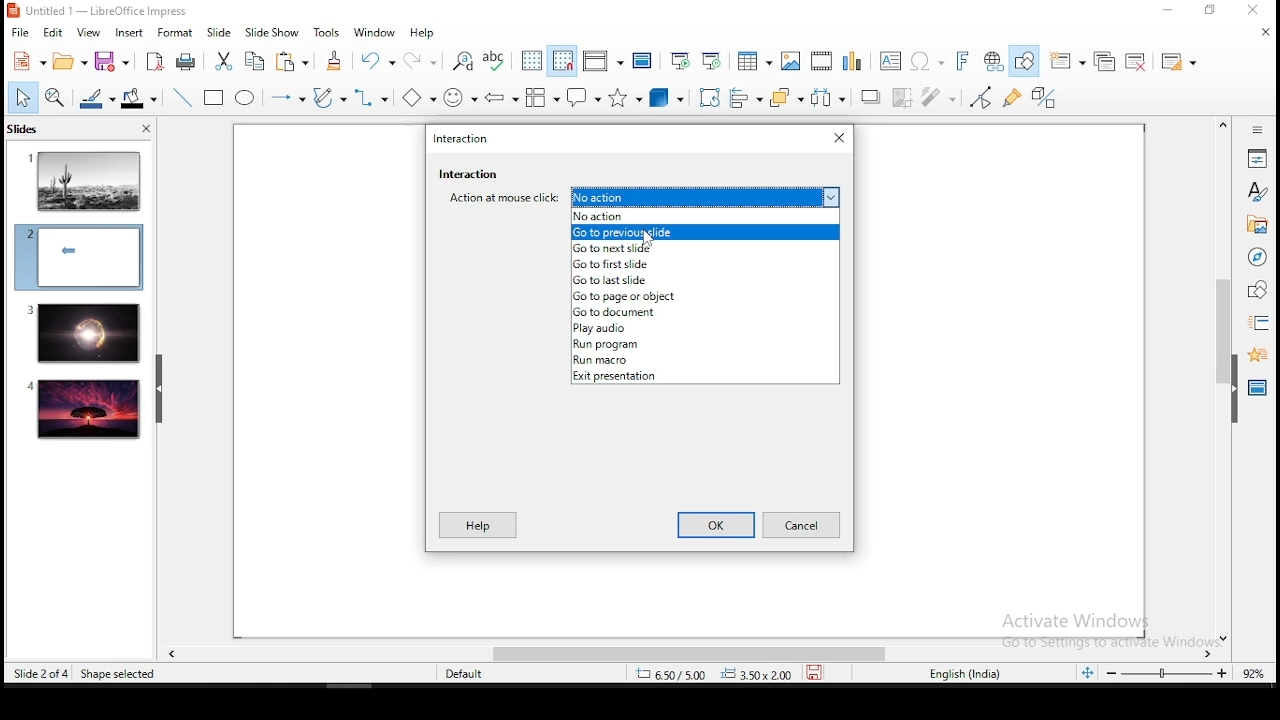 The width and height of the screenshot is (1280, 720). I want to click on connectors, so click(369, 98).